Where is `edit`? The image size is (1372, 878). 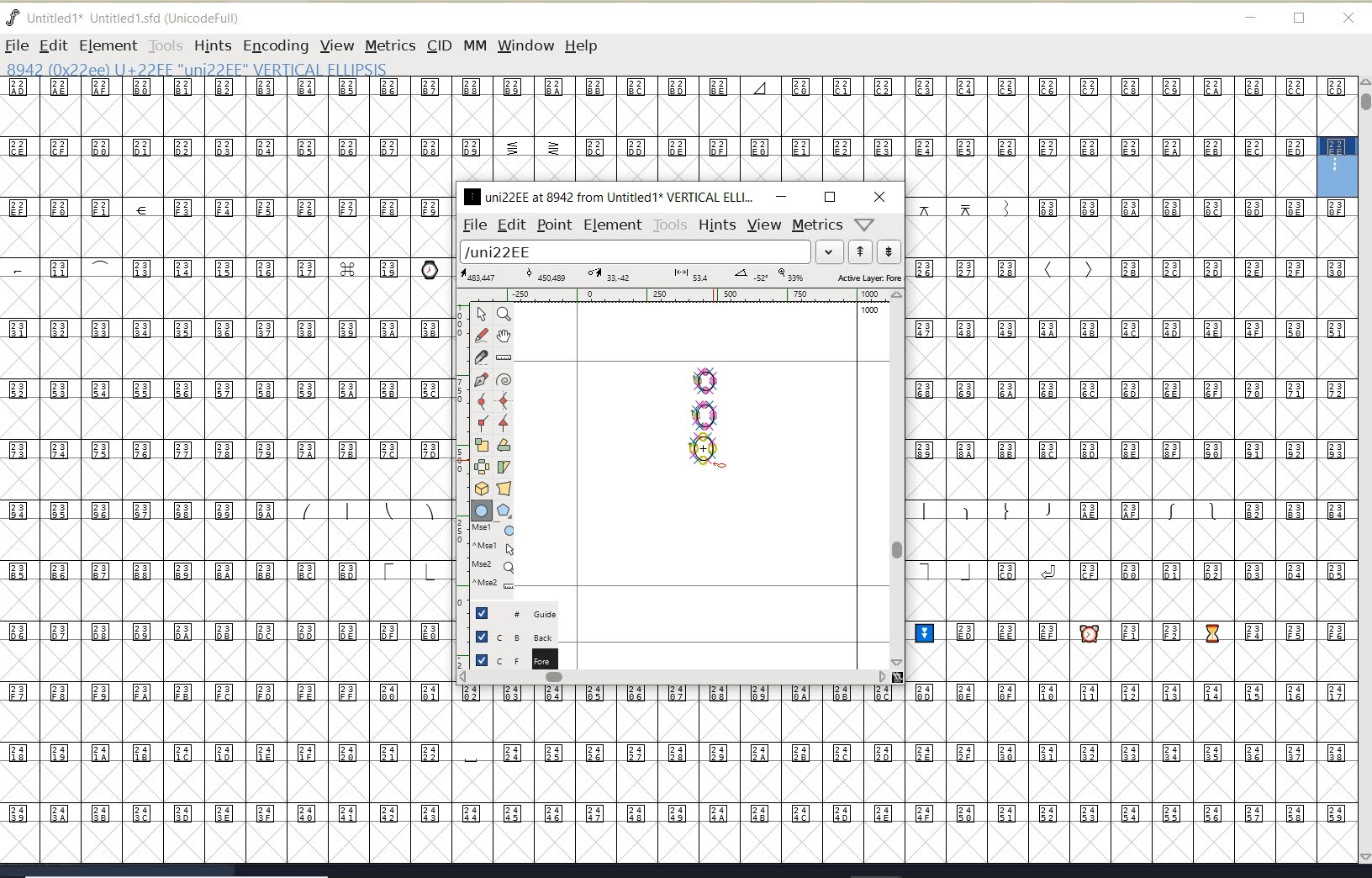
edit is located at coordinates (510, 224).